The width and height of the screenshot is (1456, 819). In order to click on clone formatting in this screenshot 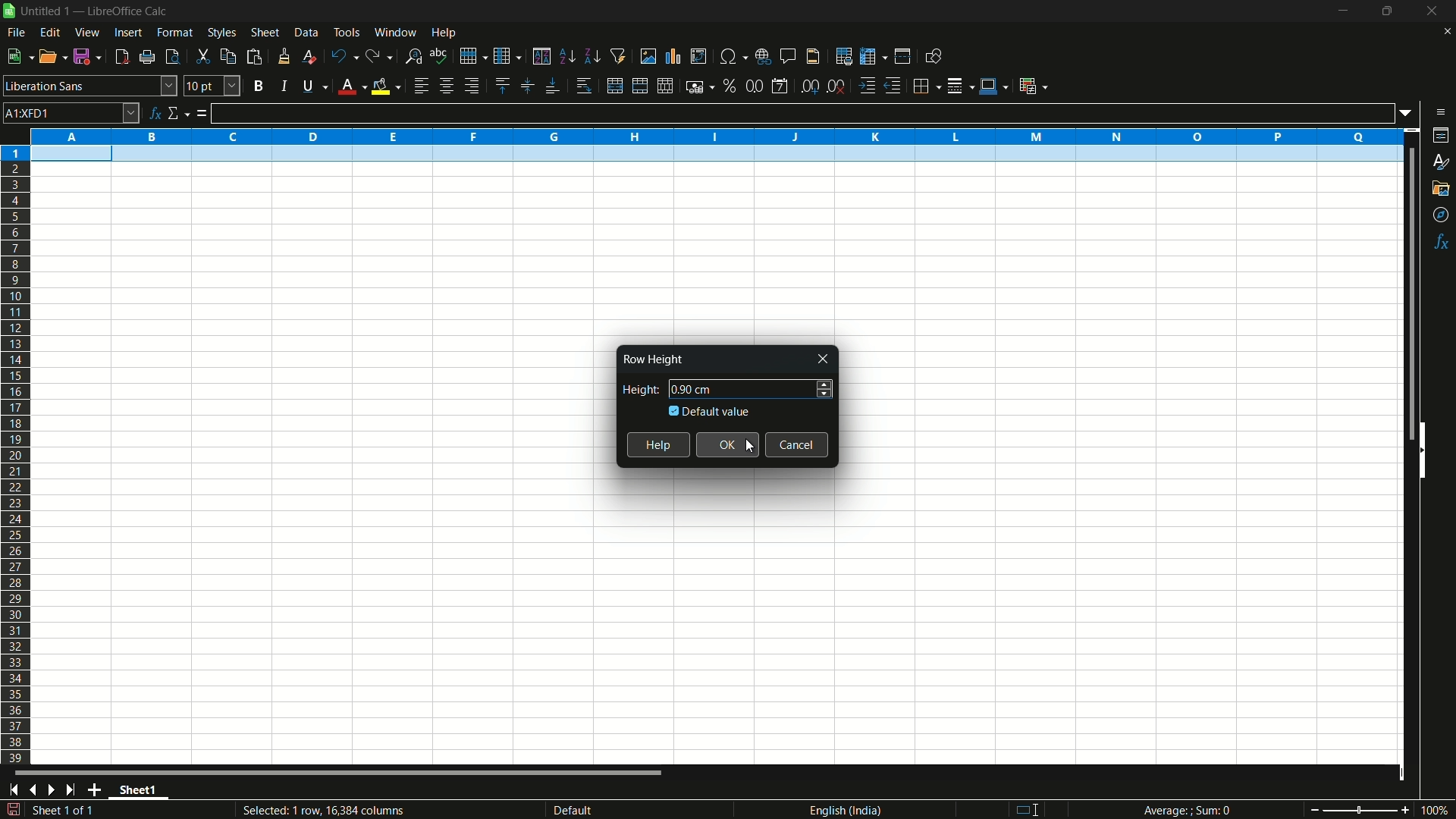, I will do `click(284, 56)`.